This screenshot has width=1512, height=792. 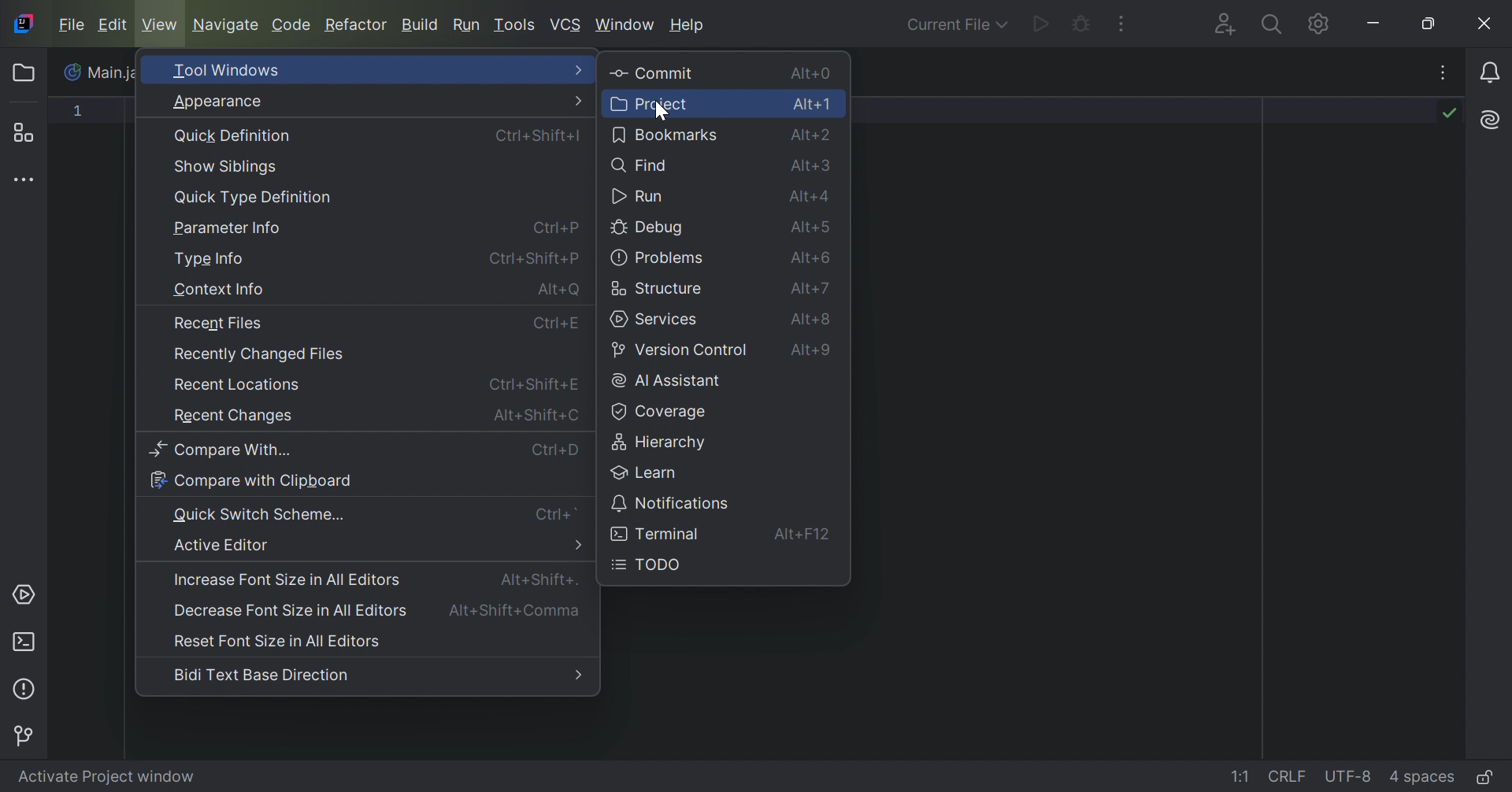 I want to click on More, so click(x=580, y=546).